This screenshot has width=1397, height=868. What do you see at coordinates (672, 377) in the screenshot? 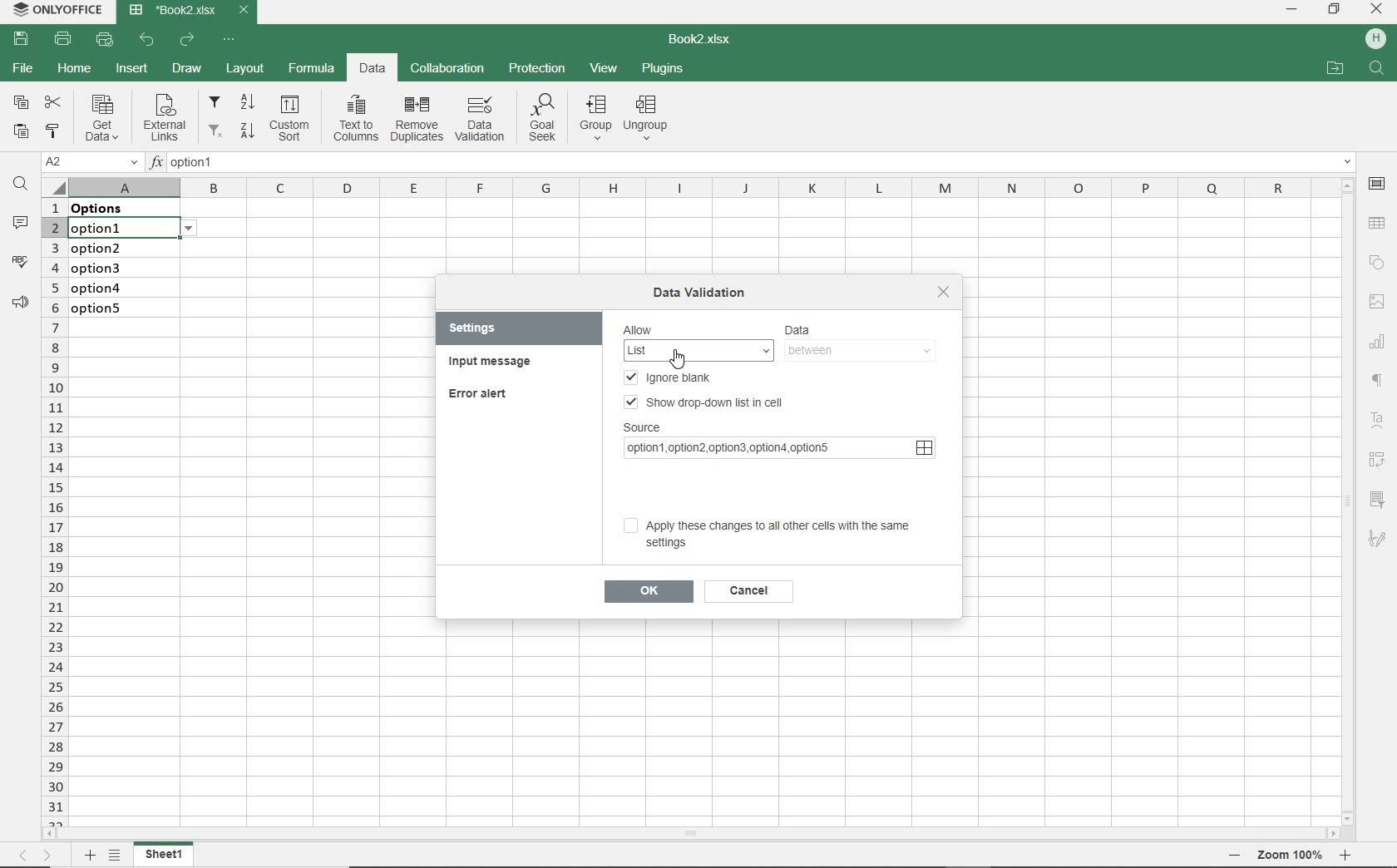
I see `IGNORE BLANK` at bounding box center [672, 377].